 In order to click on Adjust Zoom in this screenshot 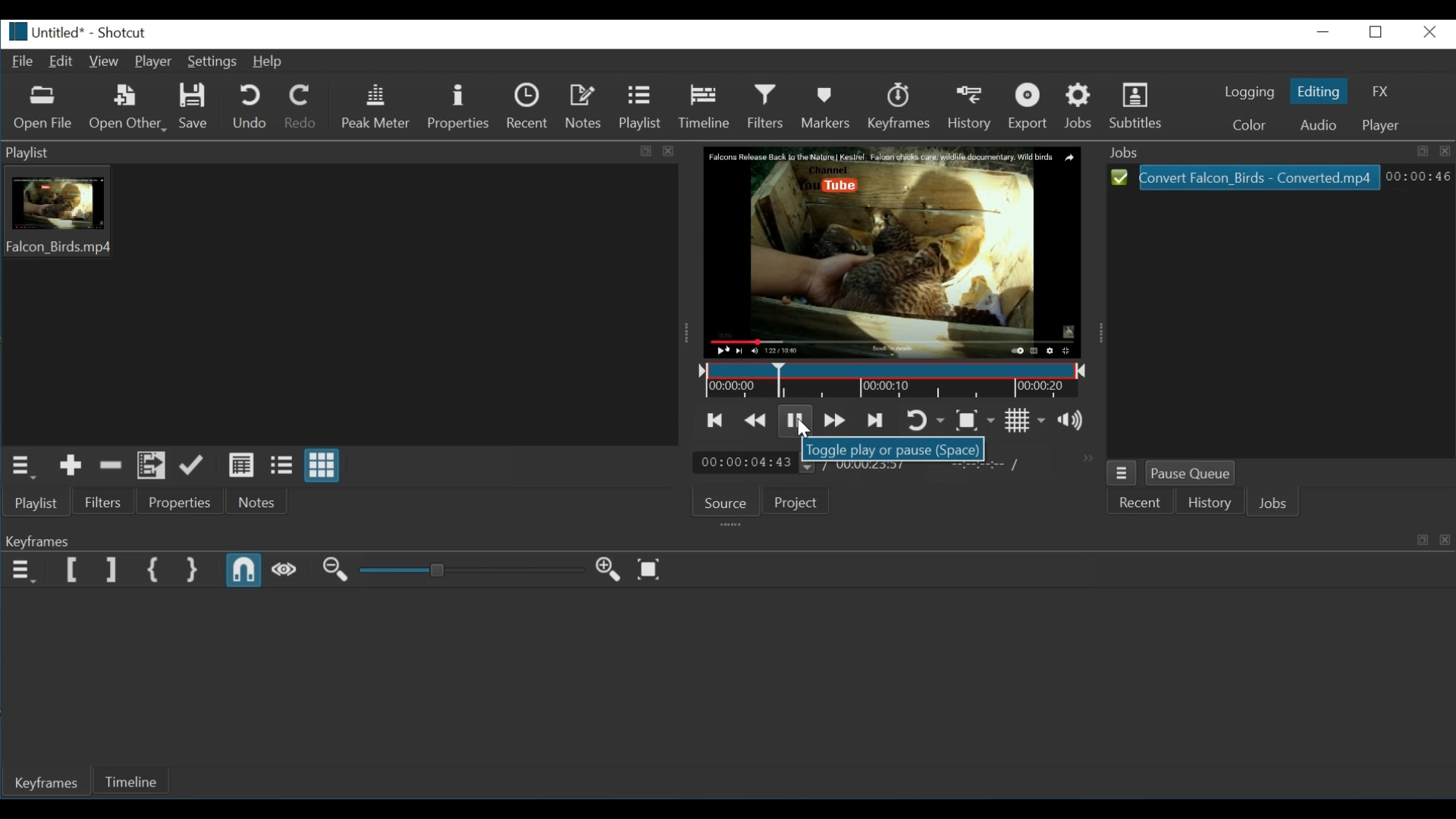, I will do `click(472, 570)`.